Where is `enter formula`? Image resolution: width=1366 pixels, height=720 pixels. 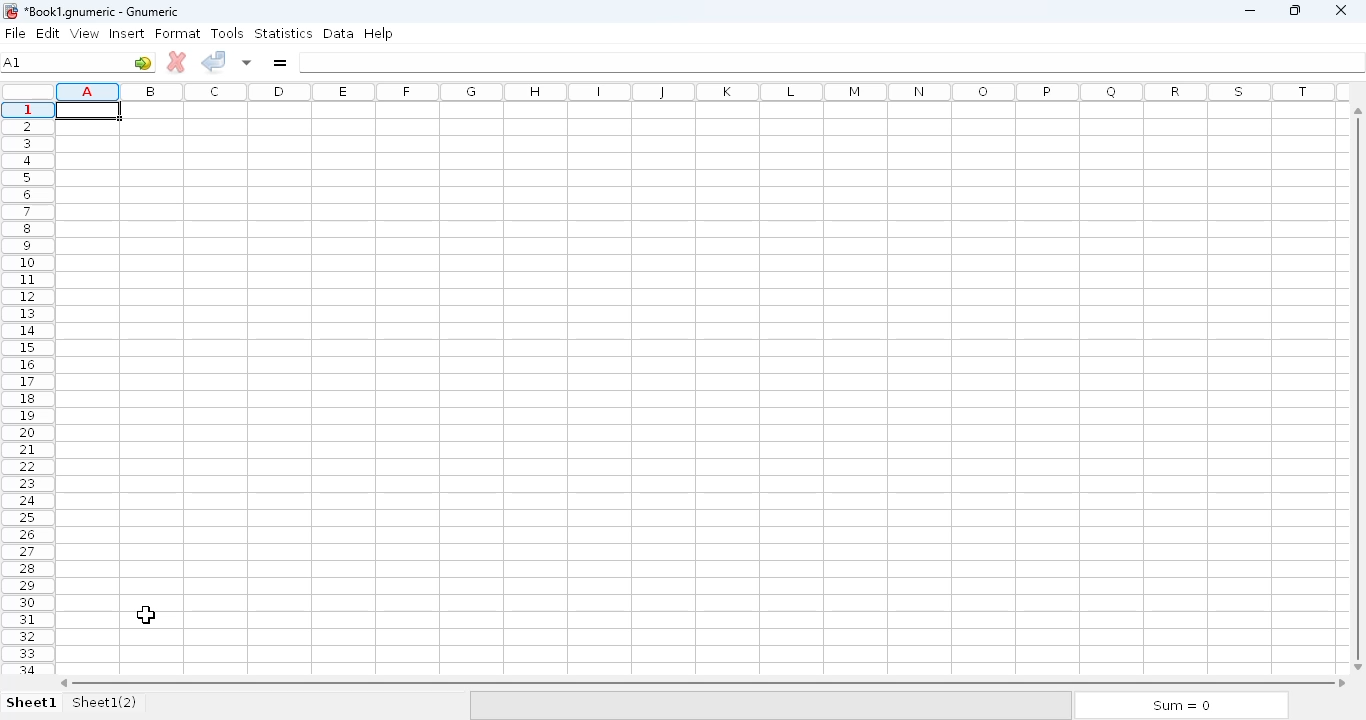
enter formula is located at coordinates (280, 63).